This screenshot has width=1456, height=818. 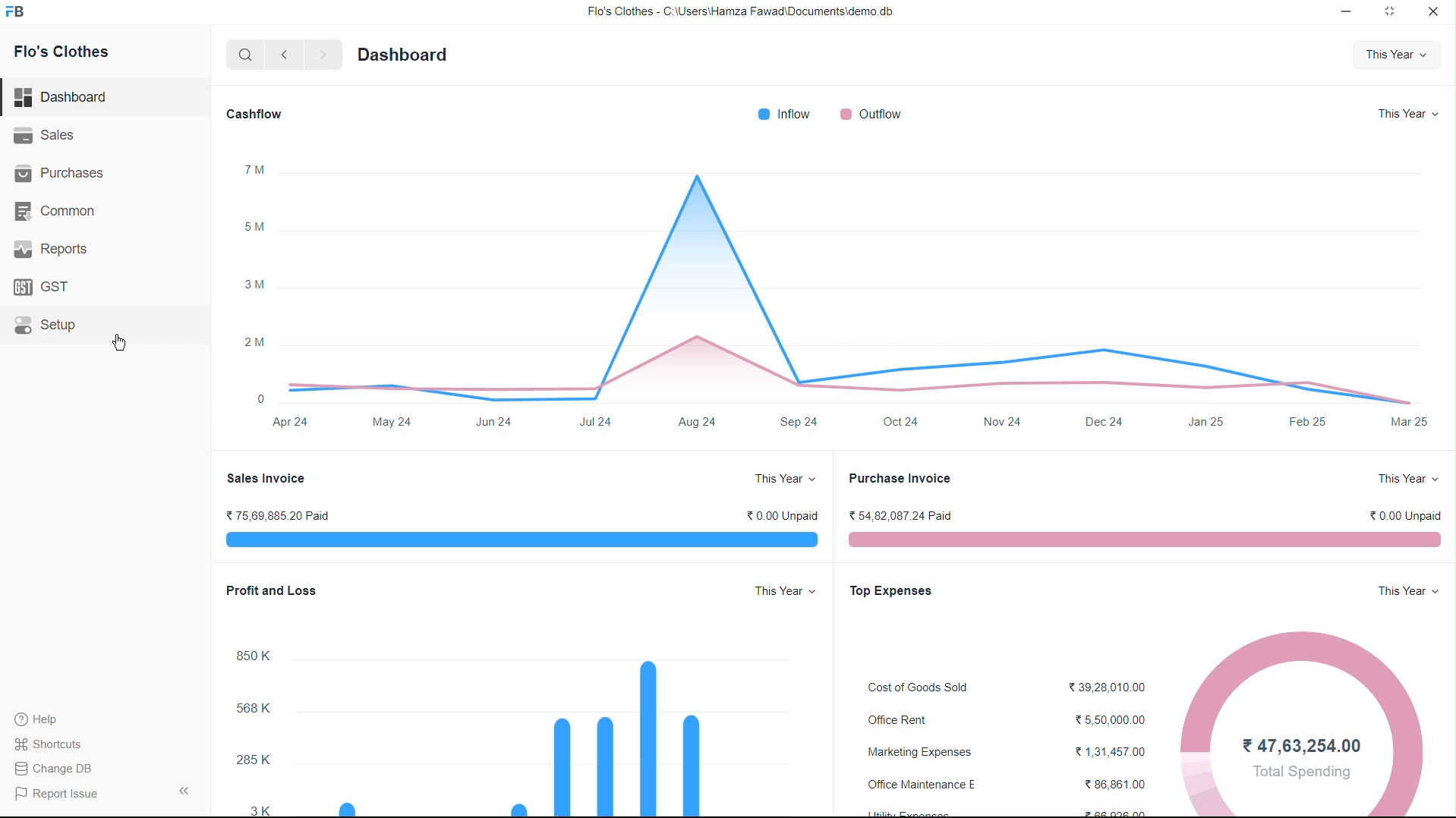 What do you see at coordinates (58, 209) in the screenshot?
I see `Common` at bounding box center [58, 209].